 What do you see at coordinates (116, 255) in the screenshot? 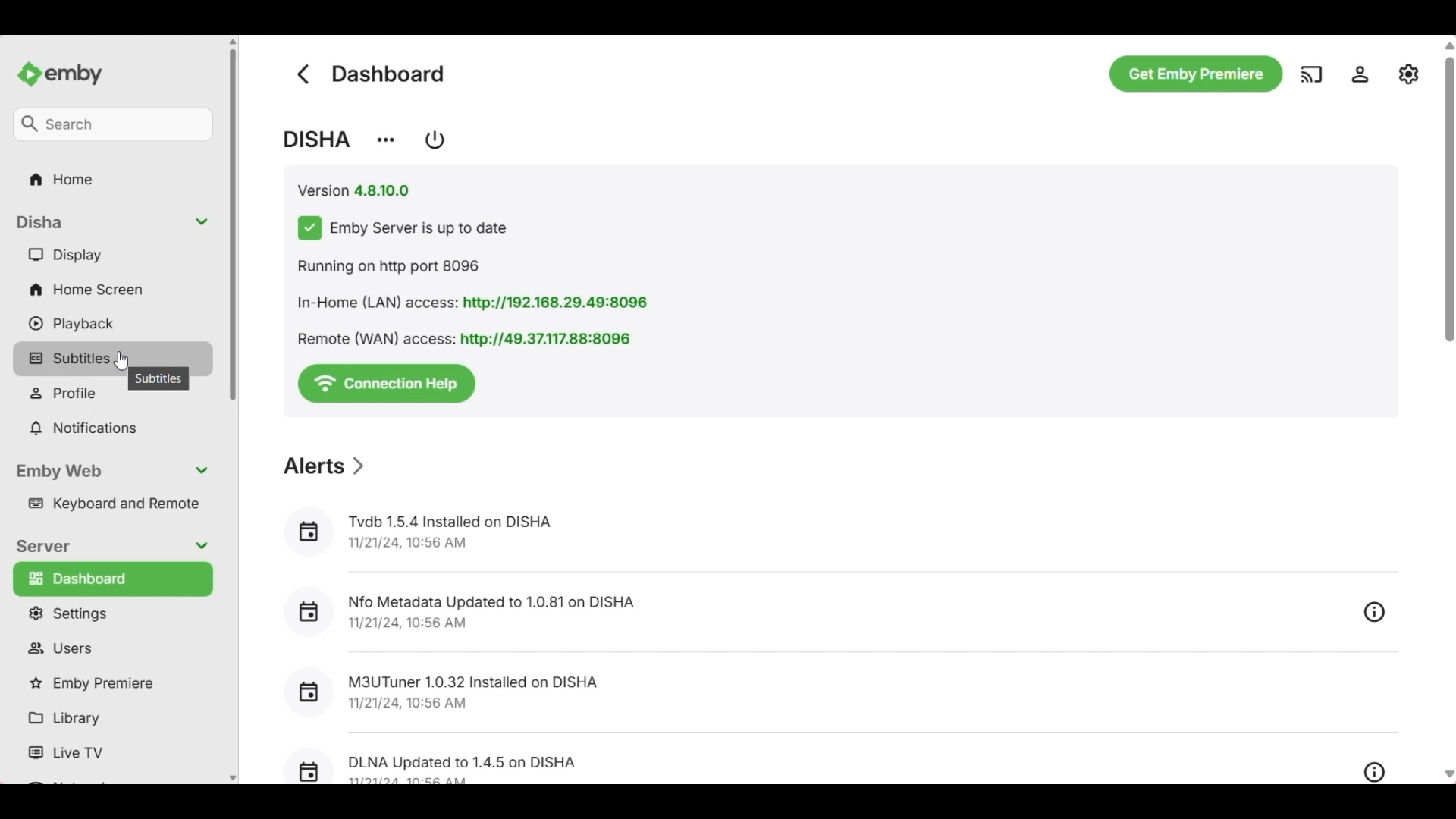
I see `Display` at bounding box center [116, 255].